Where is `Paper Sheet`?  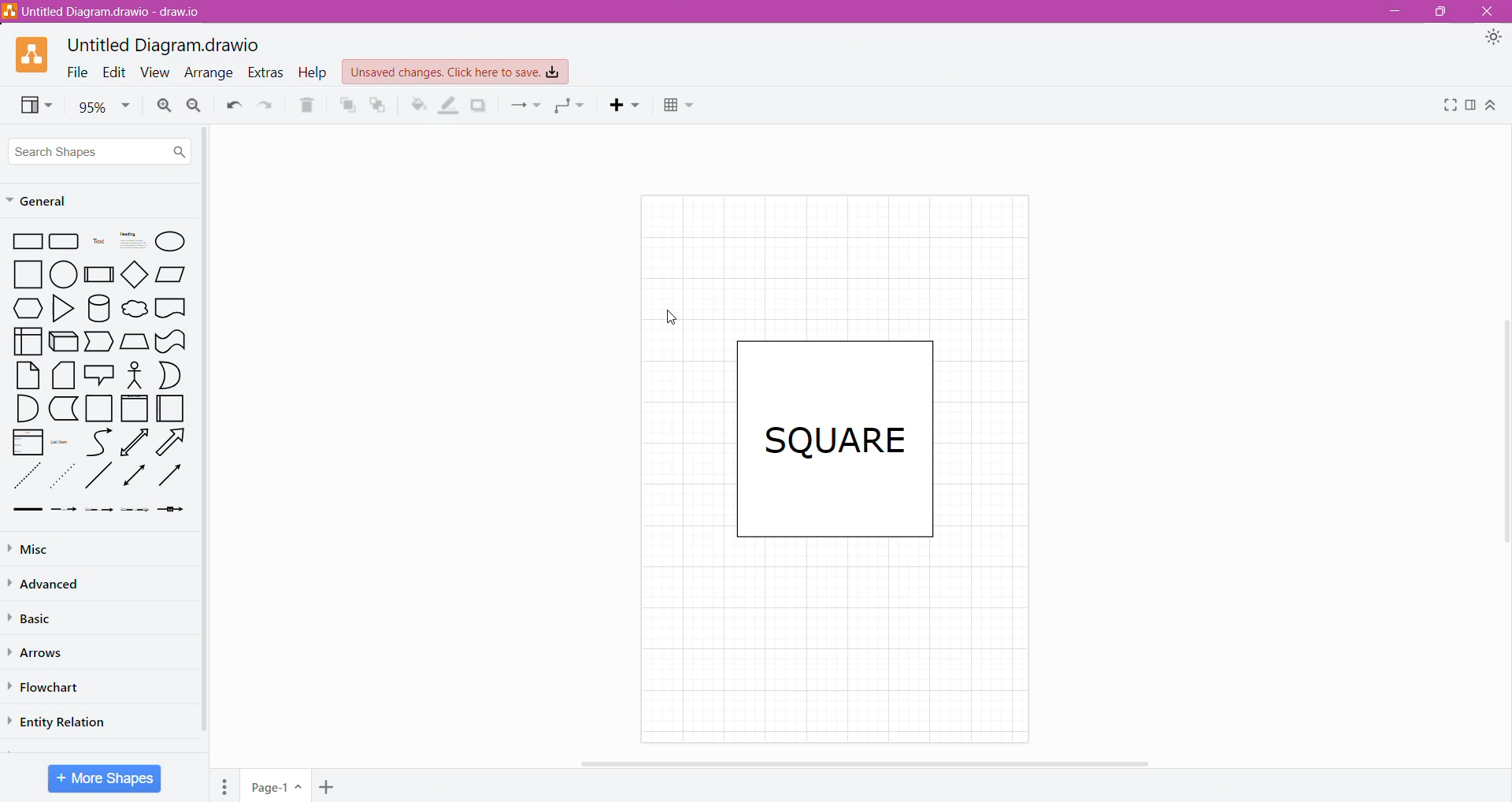
Paper Sheet is located at coordinates (25, 376).